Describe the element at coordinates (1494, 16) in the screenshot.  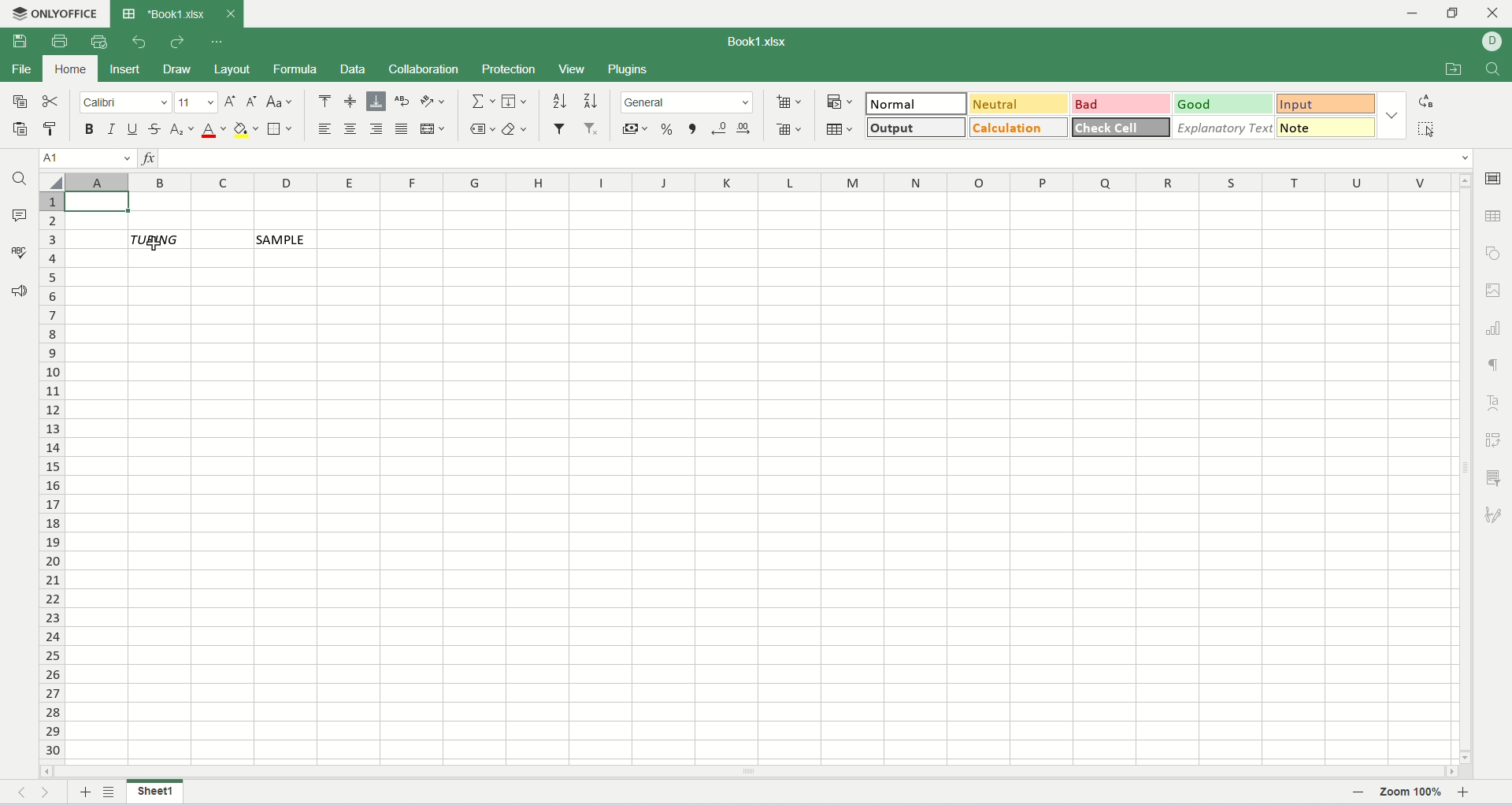
I see `close` at that location.